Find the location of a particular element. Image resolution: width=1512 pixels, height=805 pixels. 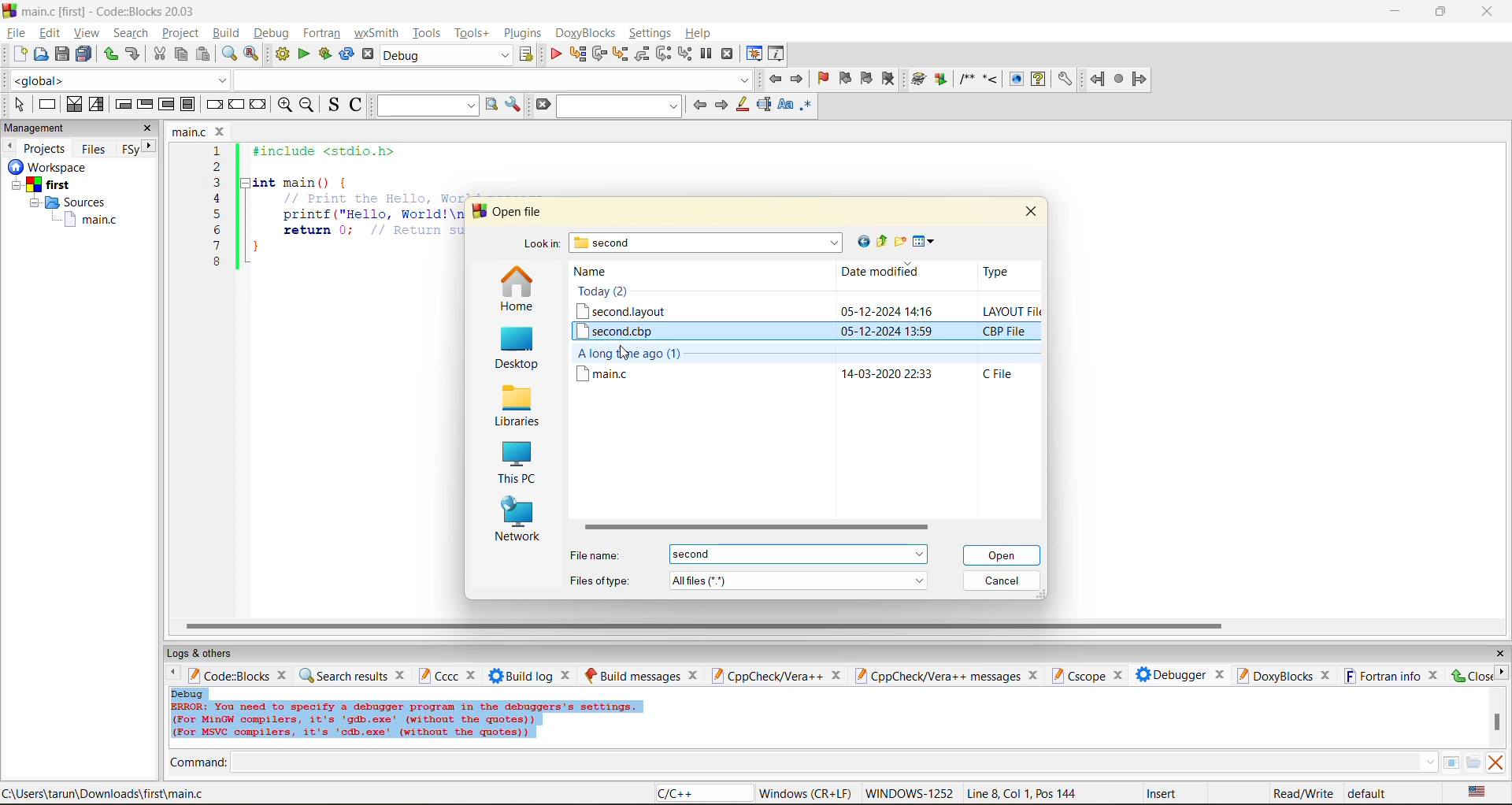

rebuild is located at coordinates (346, 54).